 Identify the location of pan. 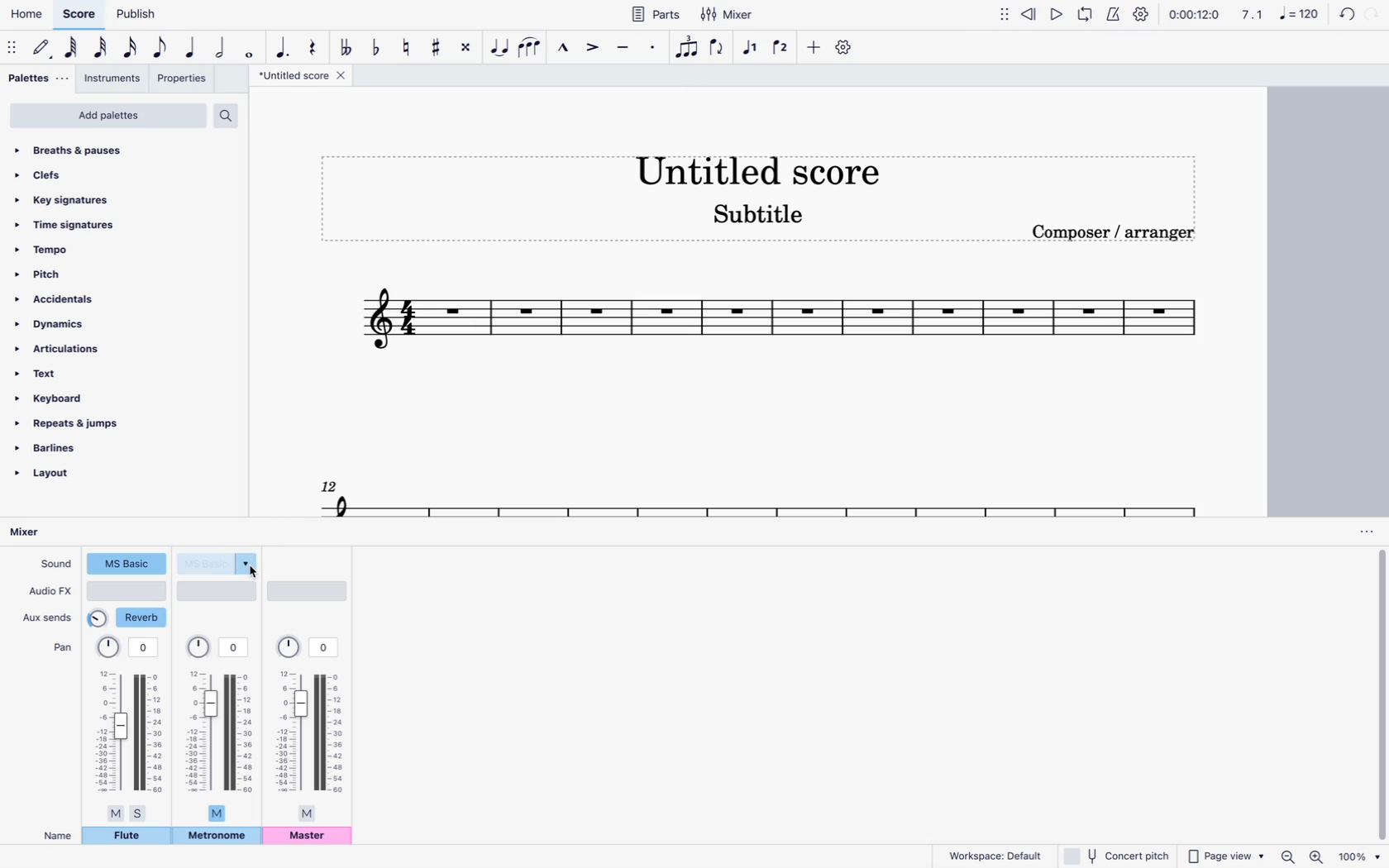
(130, 728).